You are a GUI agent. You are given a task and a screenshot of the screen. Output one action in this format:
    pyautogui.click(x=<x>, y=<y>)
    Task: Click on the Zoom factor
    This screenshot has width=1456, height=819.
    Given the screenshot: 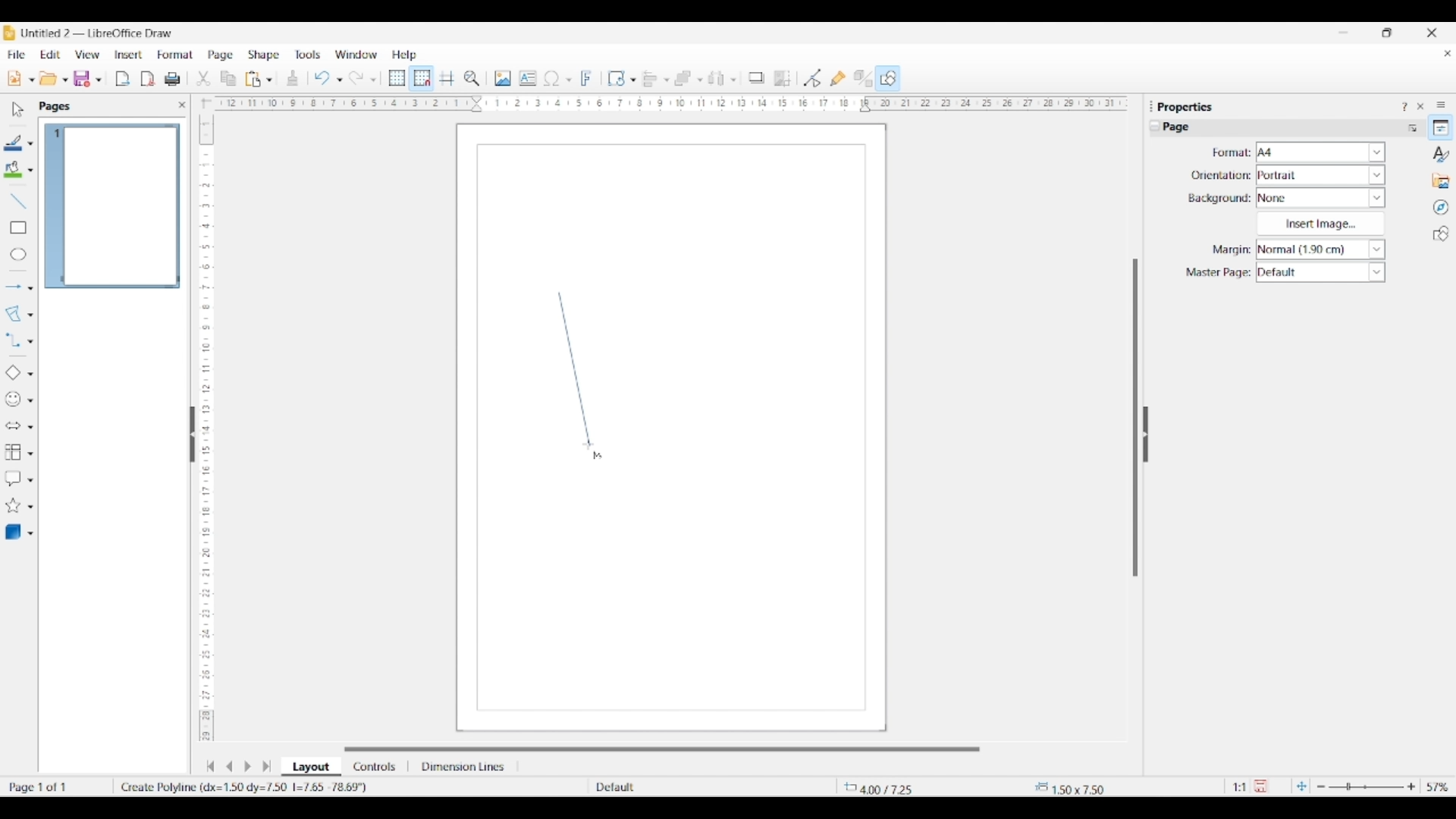 What is the action you would take?
    pyautogui.click(x=1439, y=787)
    